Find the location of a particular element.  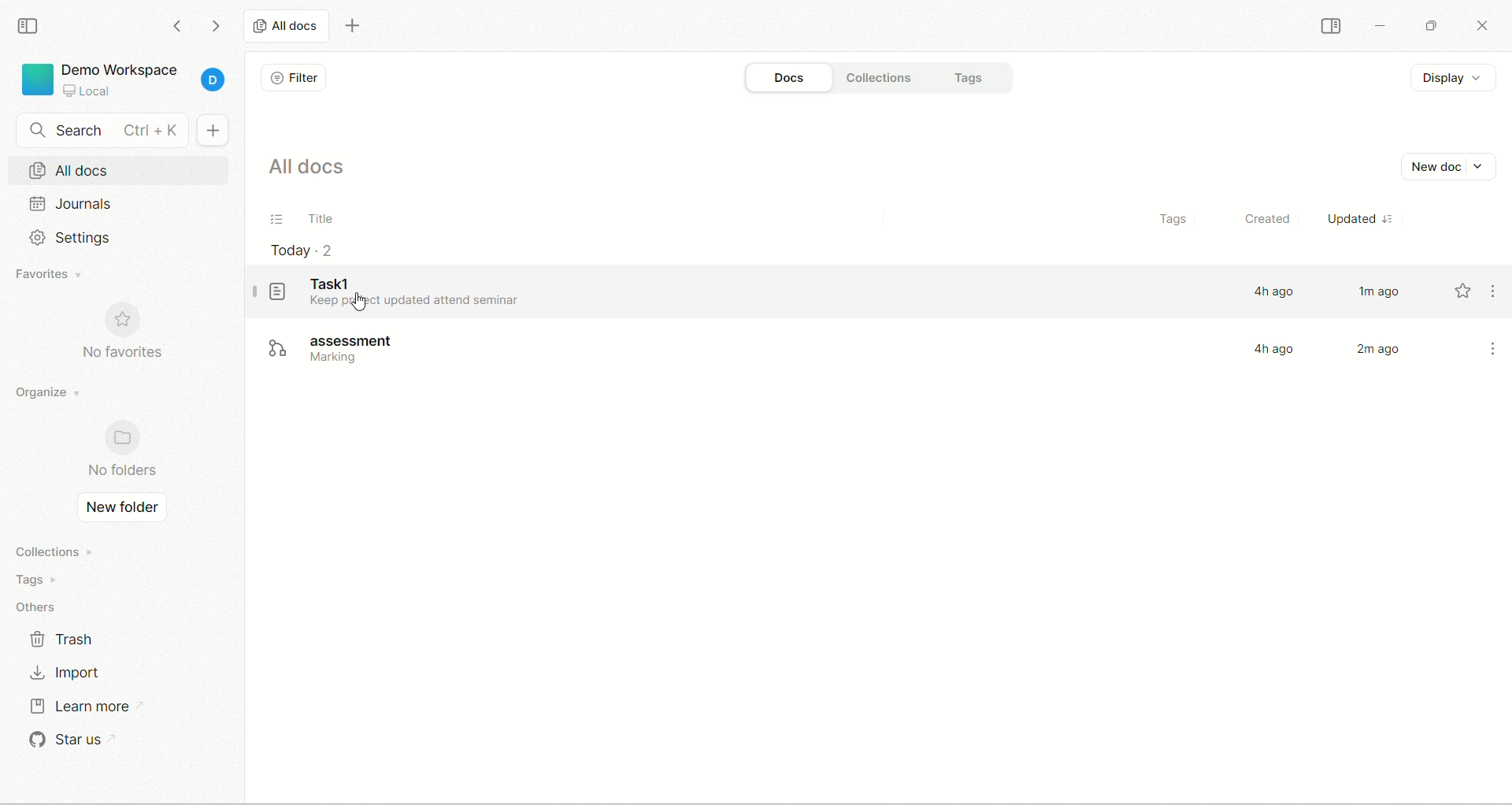

new folder is located at coordinates (121, 509).